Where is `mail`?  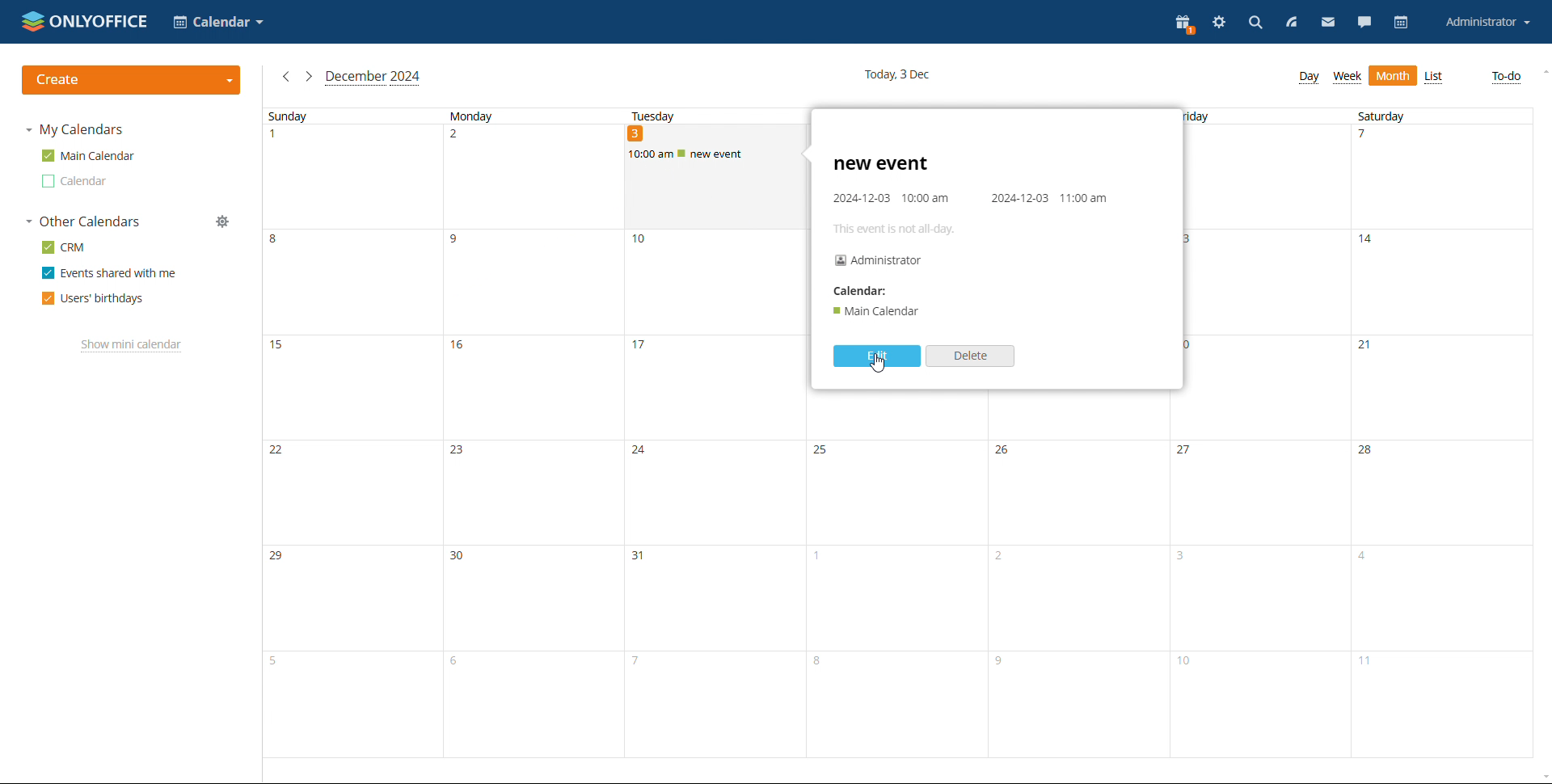
mail is located at coordinates (1329, 22).